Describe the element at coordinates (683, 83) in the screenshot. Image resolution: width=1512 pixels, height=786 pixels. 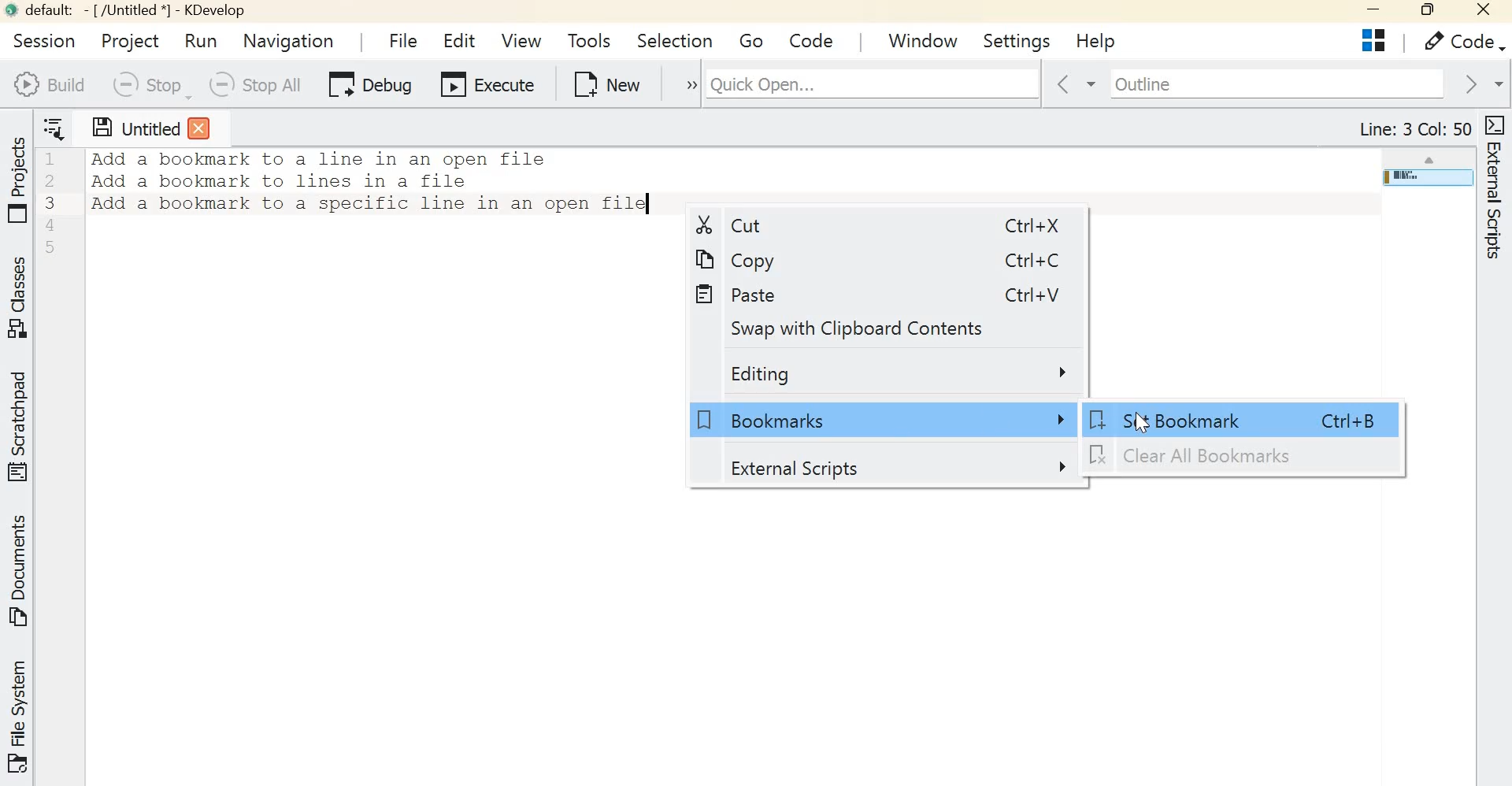
I see `expand` at that location.